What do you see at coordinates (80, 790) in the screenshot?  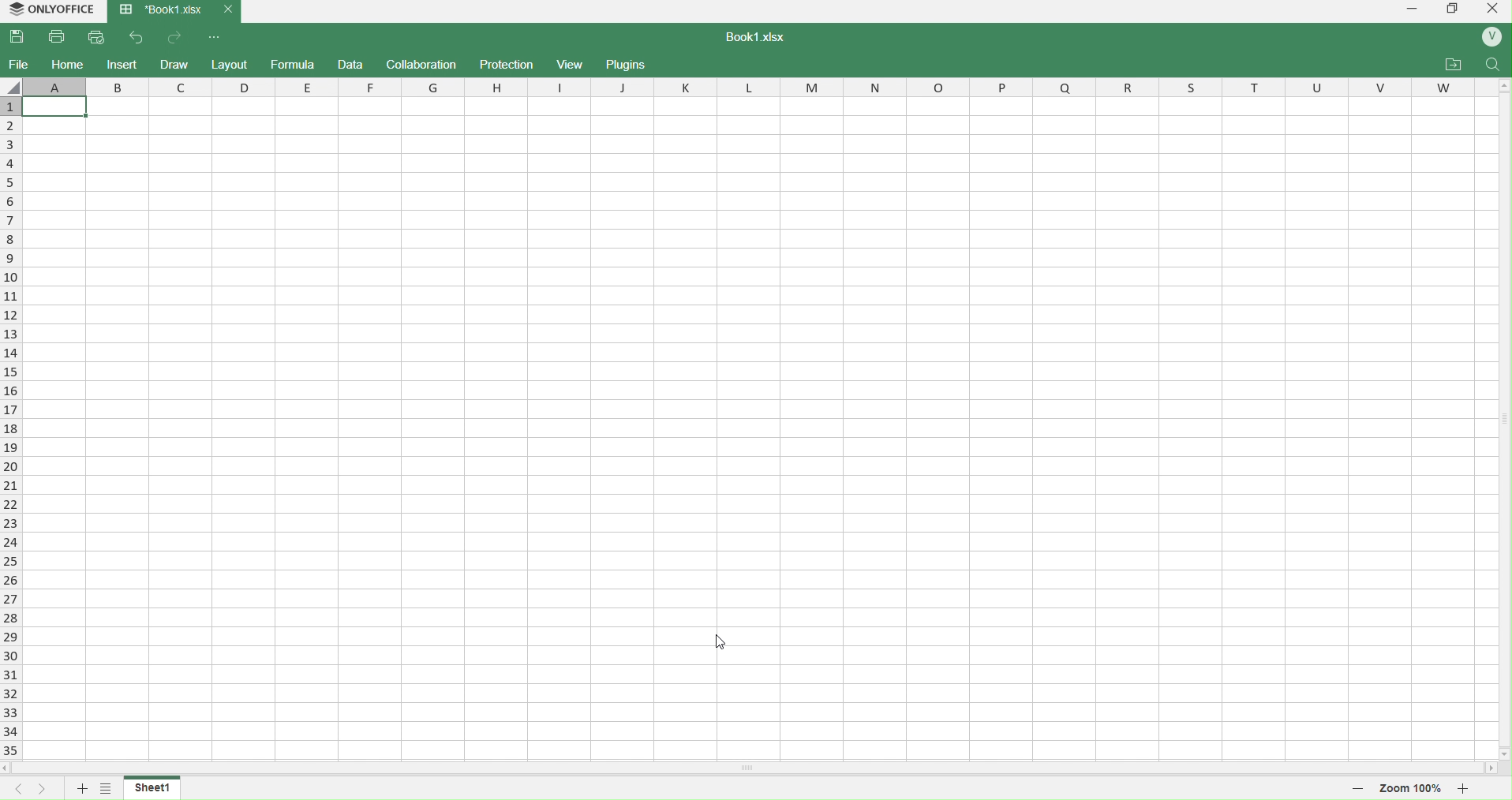 I see `add sheet` at bounding box center [80, 790].